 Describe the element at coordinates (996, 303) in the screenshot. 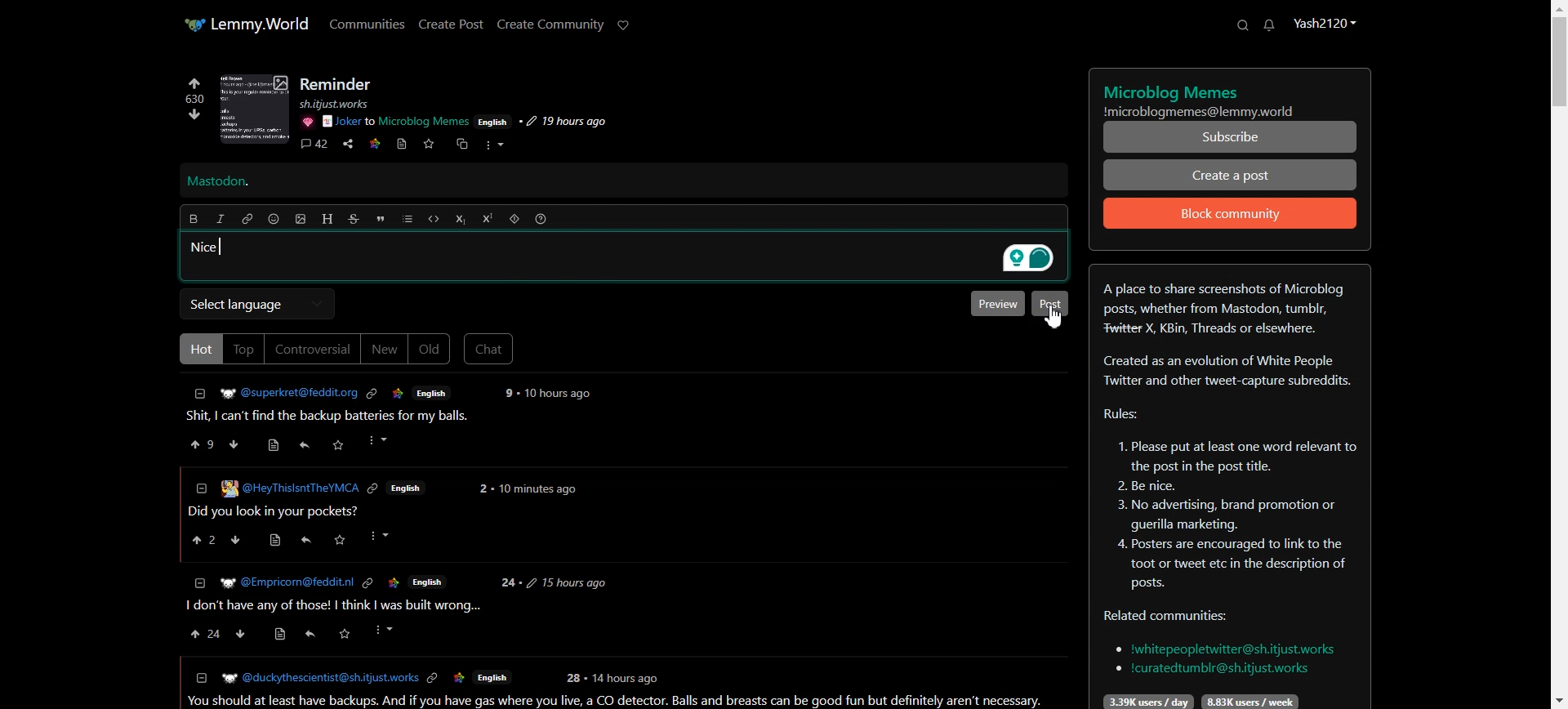

I see `Preview` at that location.